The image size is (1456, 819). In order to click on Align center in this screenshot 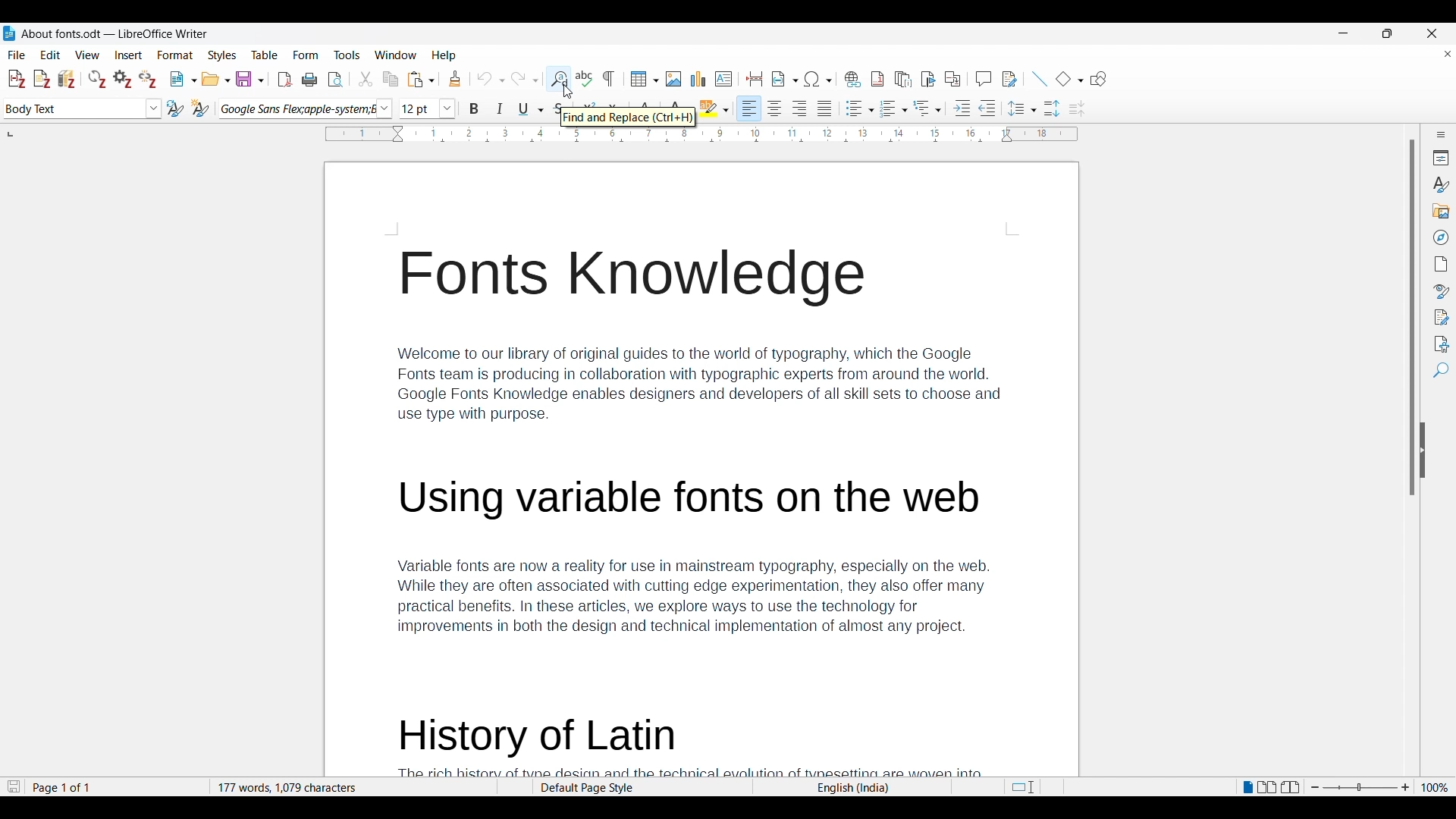, I will do `click(775, 108)`.